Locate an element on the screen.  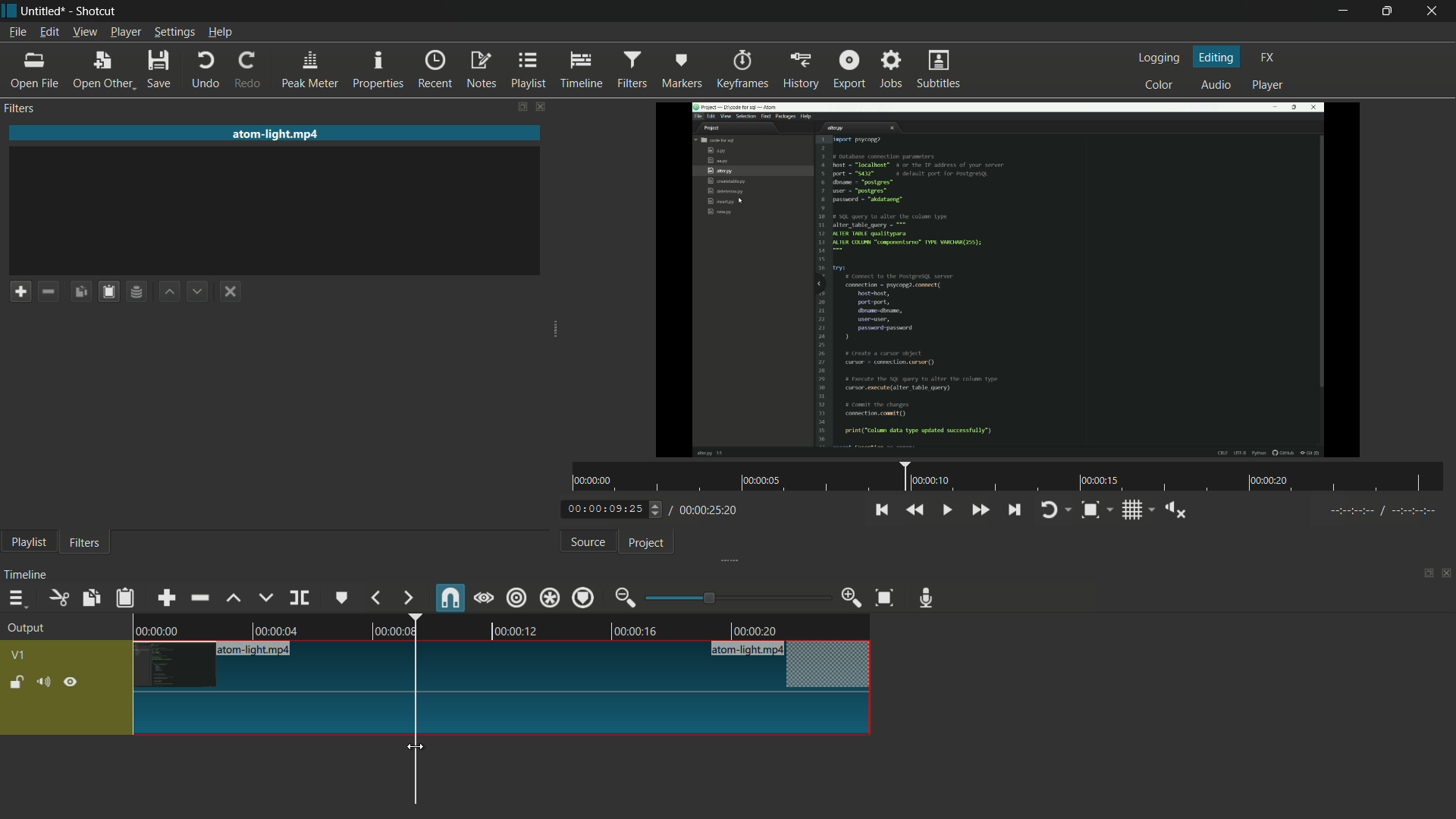
overwrite is located at coordinates (265, 598).